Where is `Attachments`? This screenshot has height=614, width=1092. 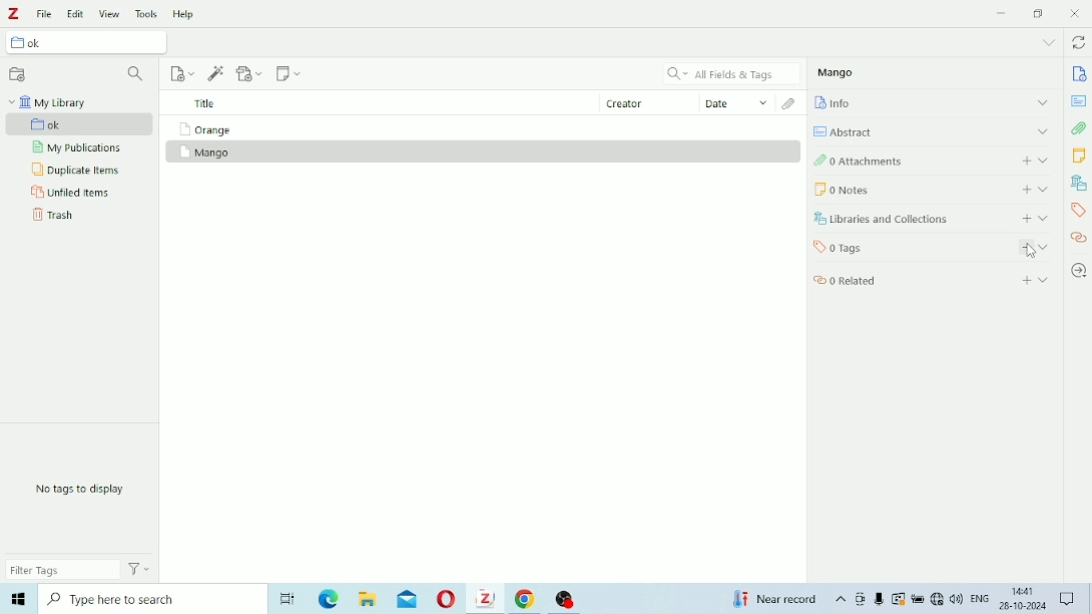 Attachments is located at coordinates (790, 104).